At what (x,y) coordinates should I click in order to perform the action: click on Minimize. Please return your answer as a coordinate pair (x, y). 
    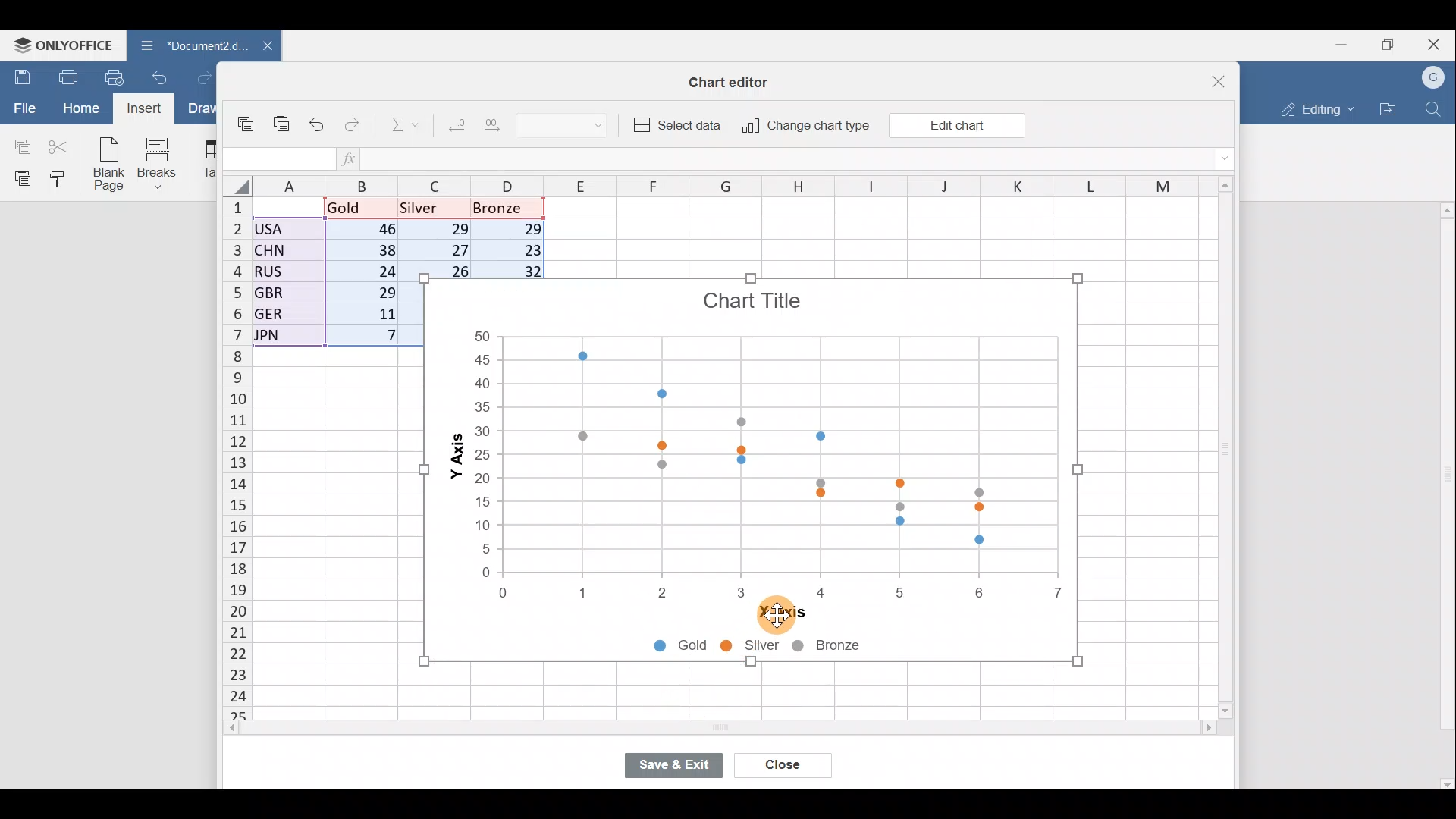
    Looking at the image, I should click on (1338, 46).